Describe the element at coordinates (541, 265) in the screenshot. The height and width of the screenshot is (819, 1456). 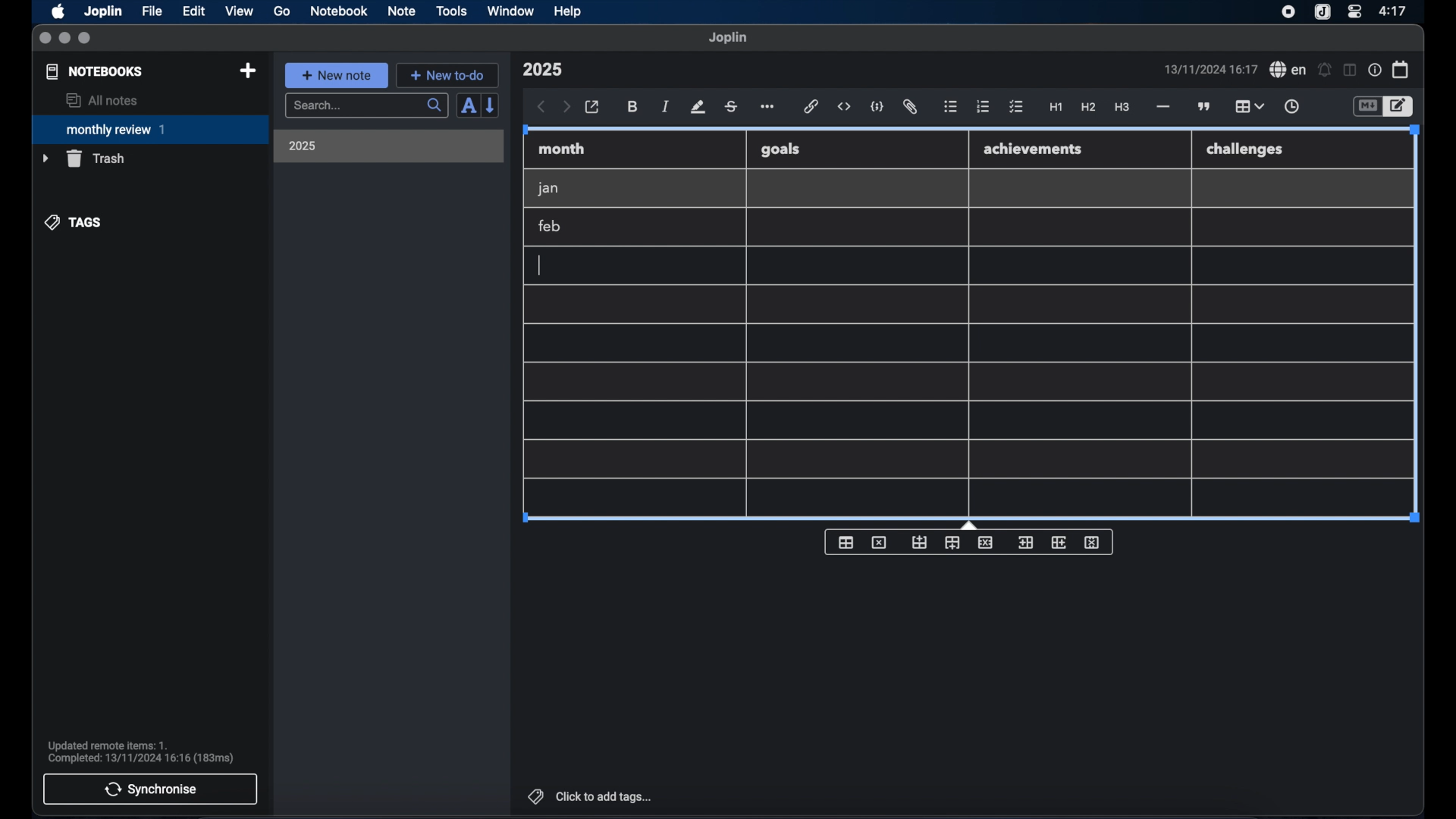
I see `text cursor` at that location.